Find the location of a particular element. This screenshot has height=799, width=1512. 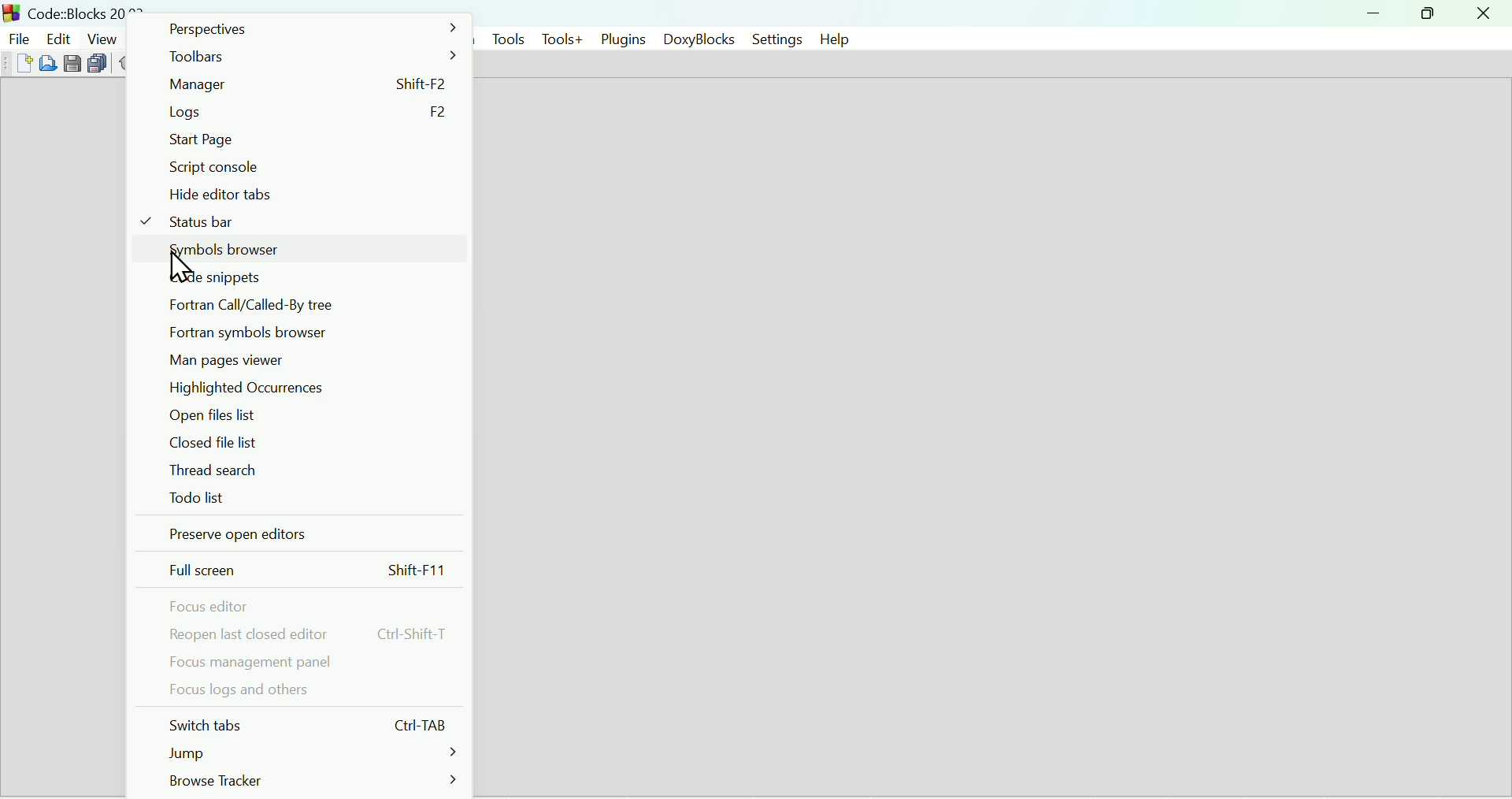

DoxyBlocks is located at coordinates (695, 39).